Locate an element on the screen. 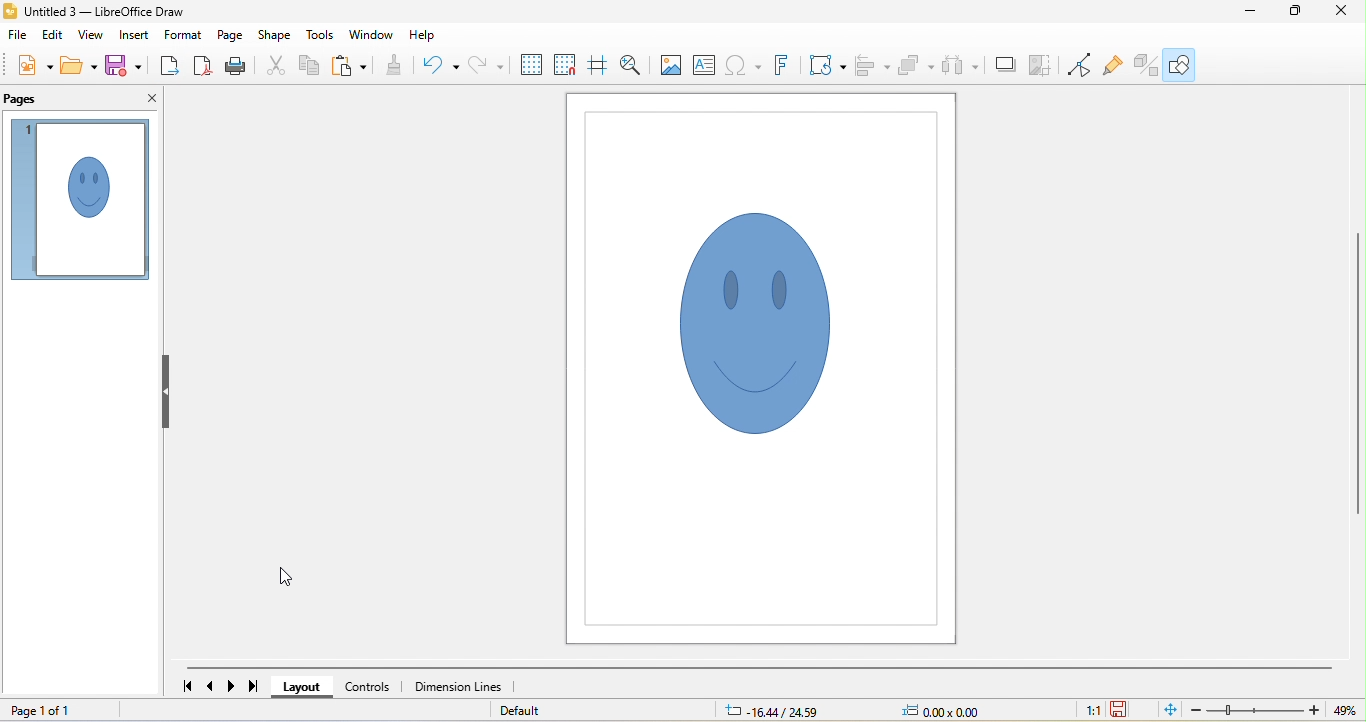  format is located at coordinates (181, 35).